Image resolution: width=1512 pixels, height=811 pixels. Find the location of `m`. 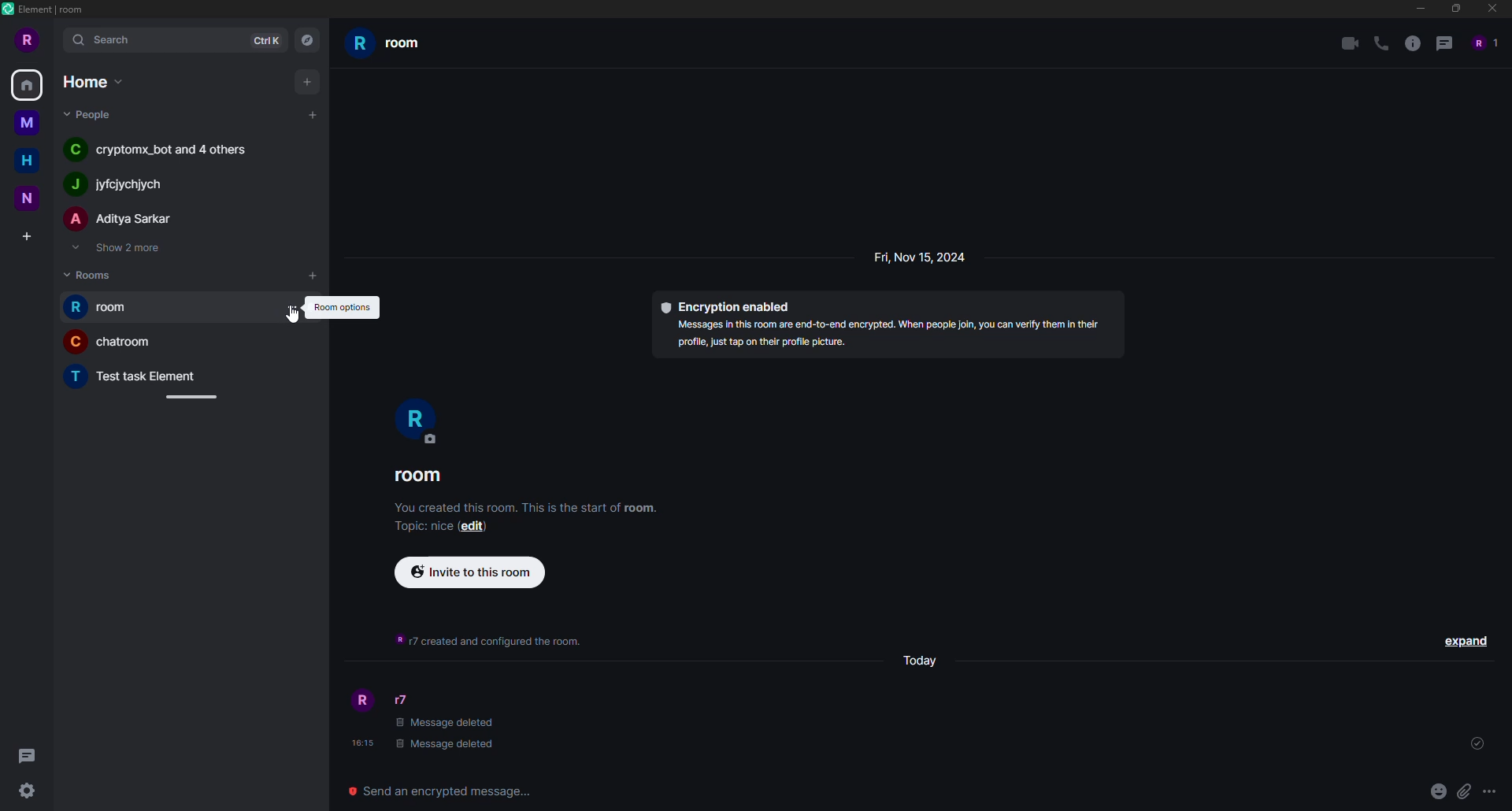

m is located at coordinates (26, 124).